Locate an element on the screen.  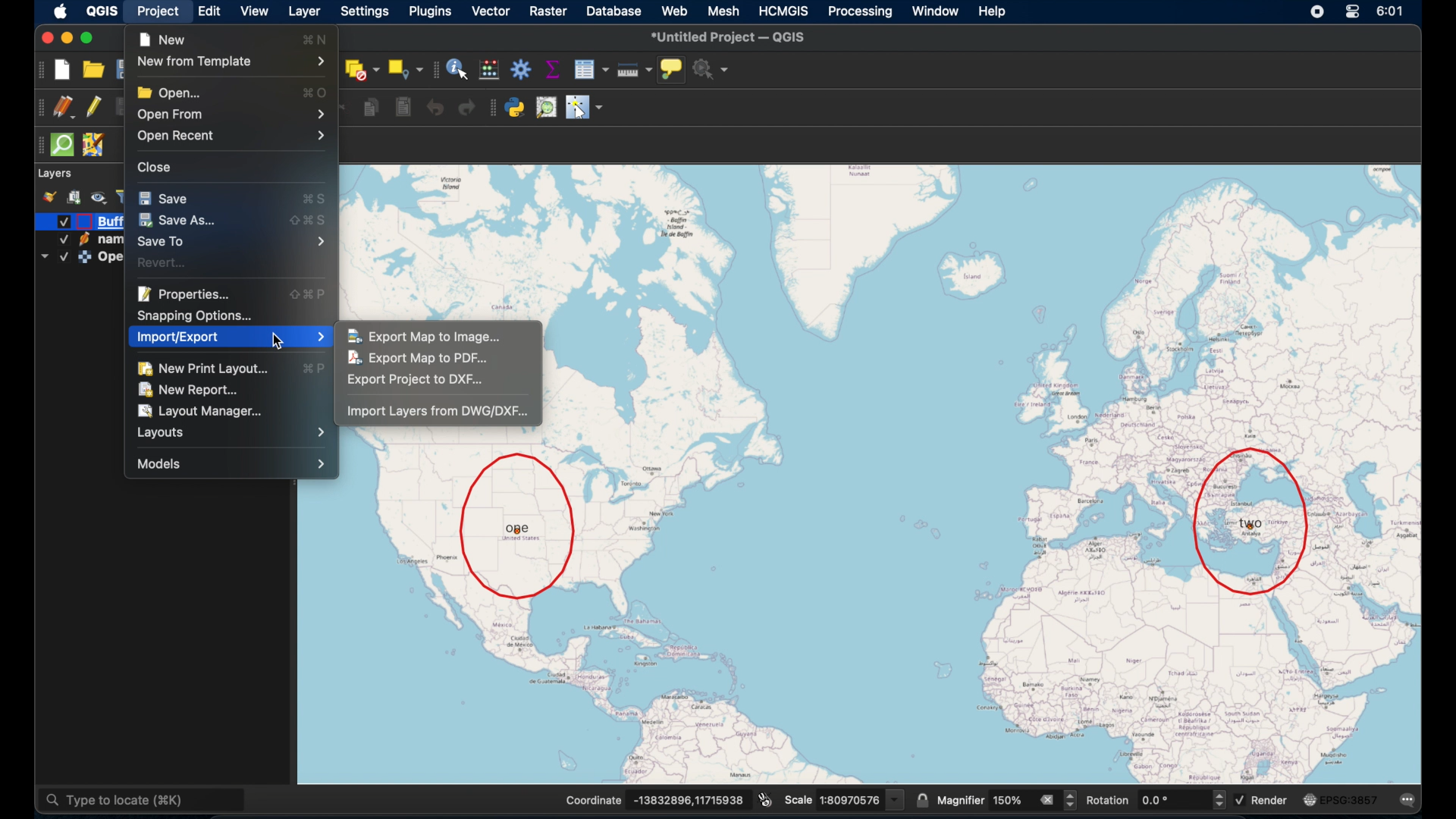
Checked checkbox is located at coordinates (64, 221).